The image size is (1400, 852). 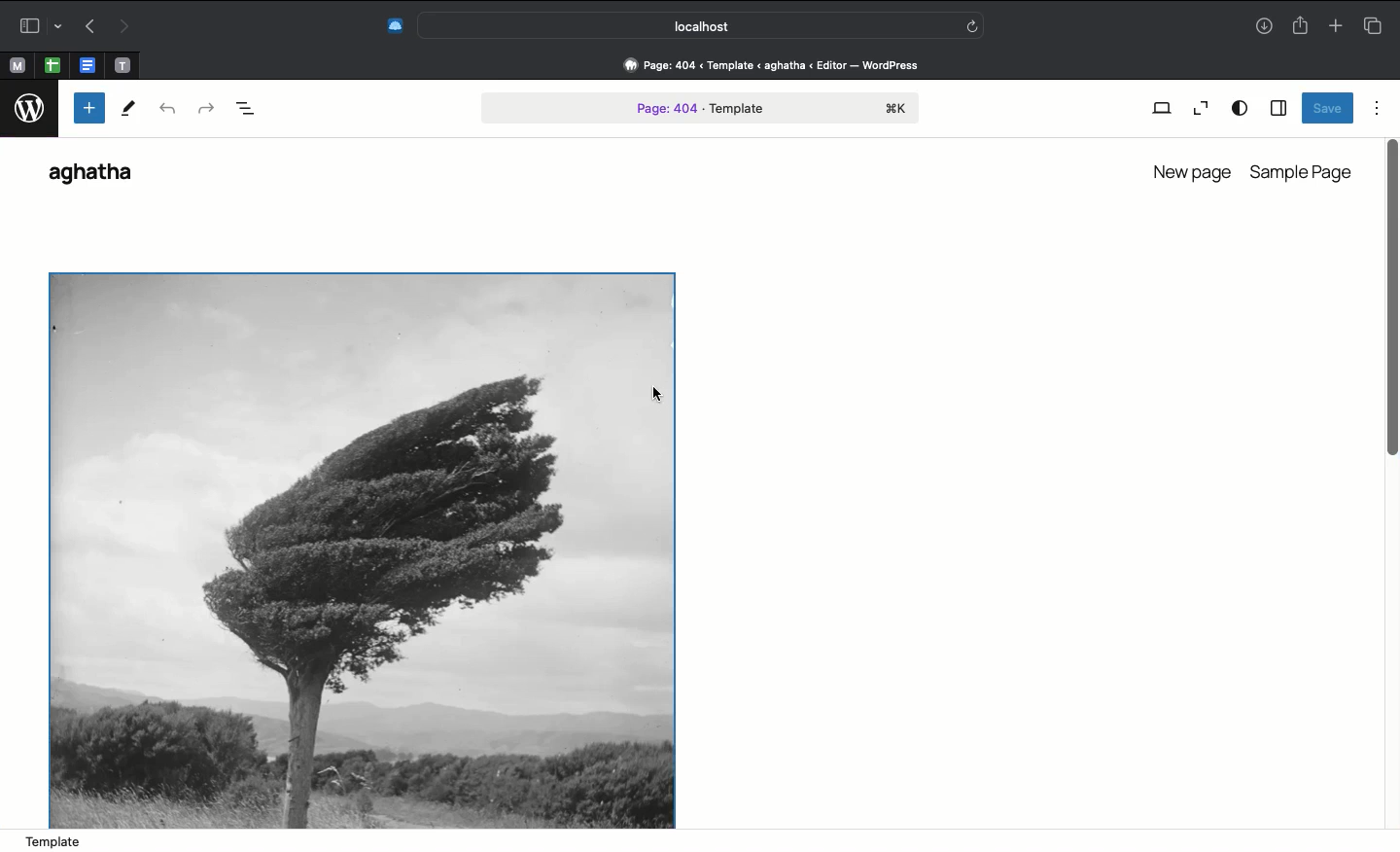 What do you see at coordinates (779, 64) in the screenshot?
I see `Address` at bounding box center [779, 64].